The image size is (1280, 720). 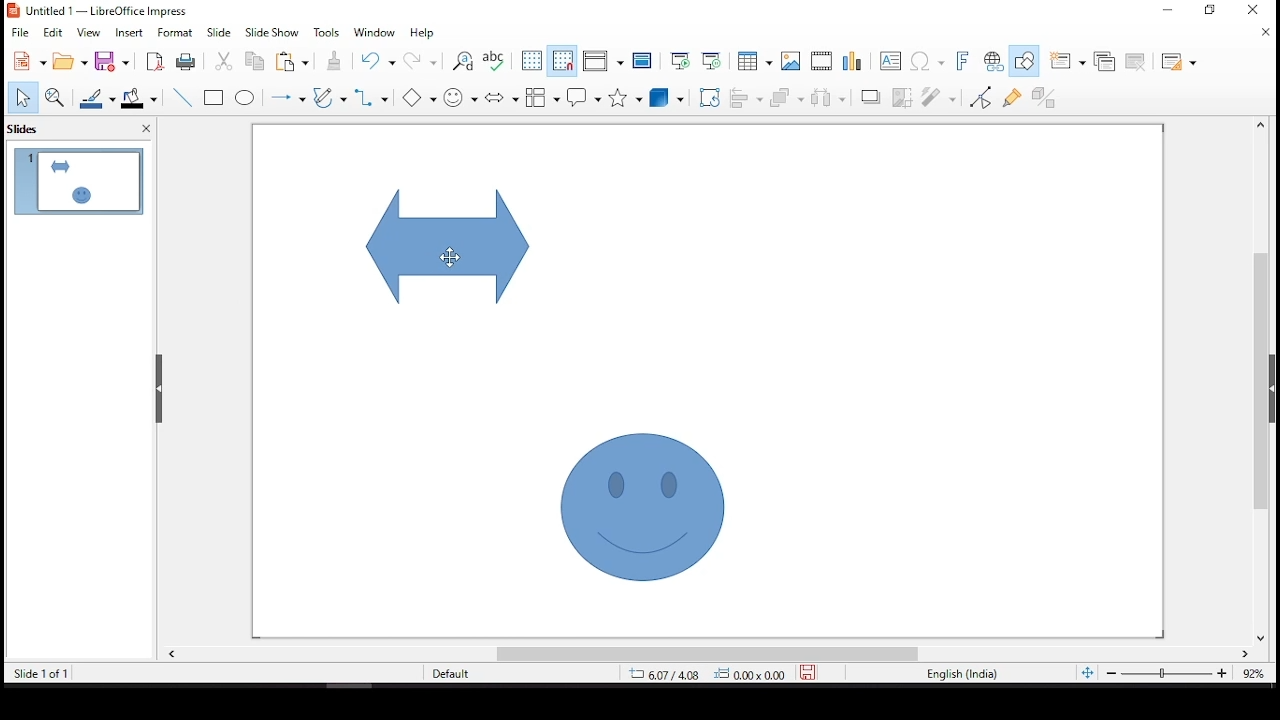 I want to click on shadow, so click(x=867, y=98).